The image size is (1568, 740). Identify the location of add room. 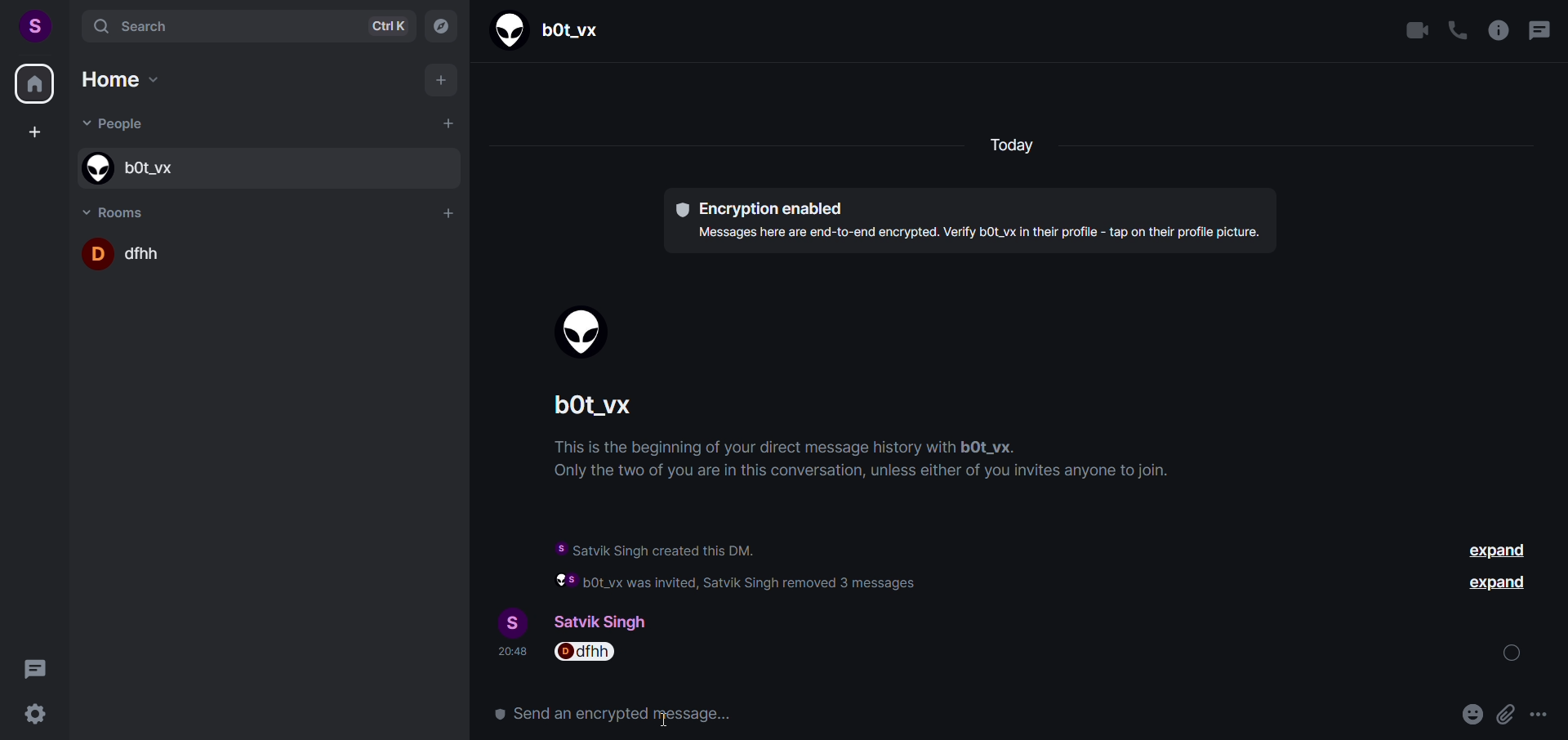
(449, 213).